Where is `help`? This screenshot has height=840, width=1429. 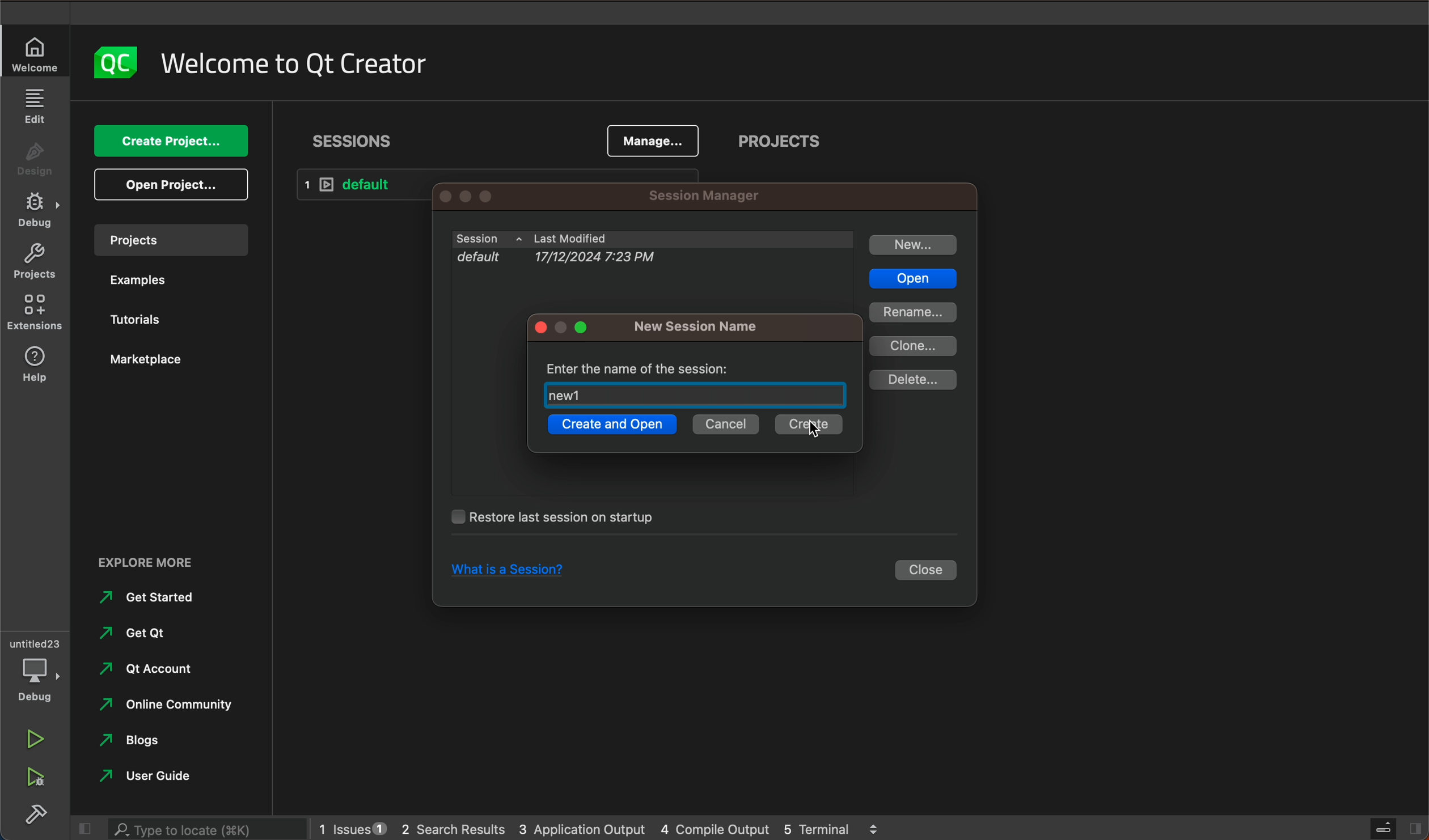
help is located at coordinates (38, 366).